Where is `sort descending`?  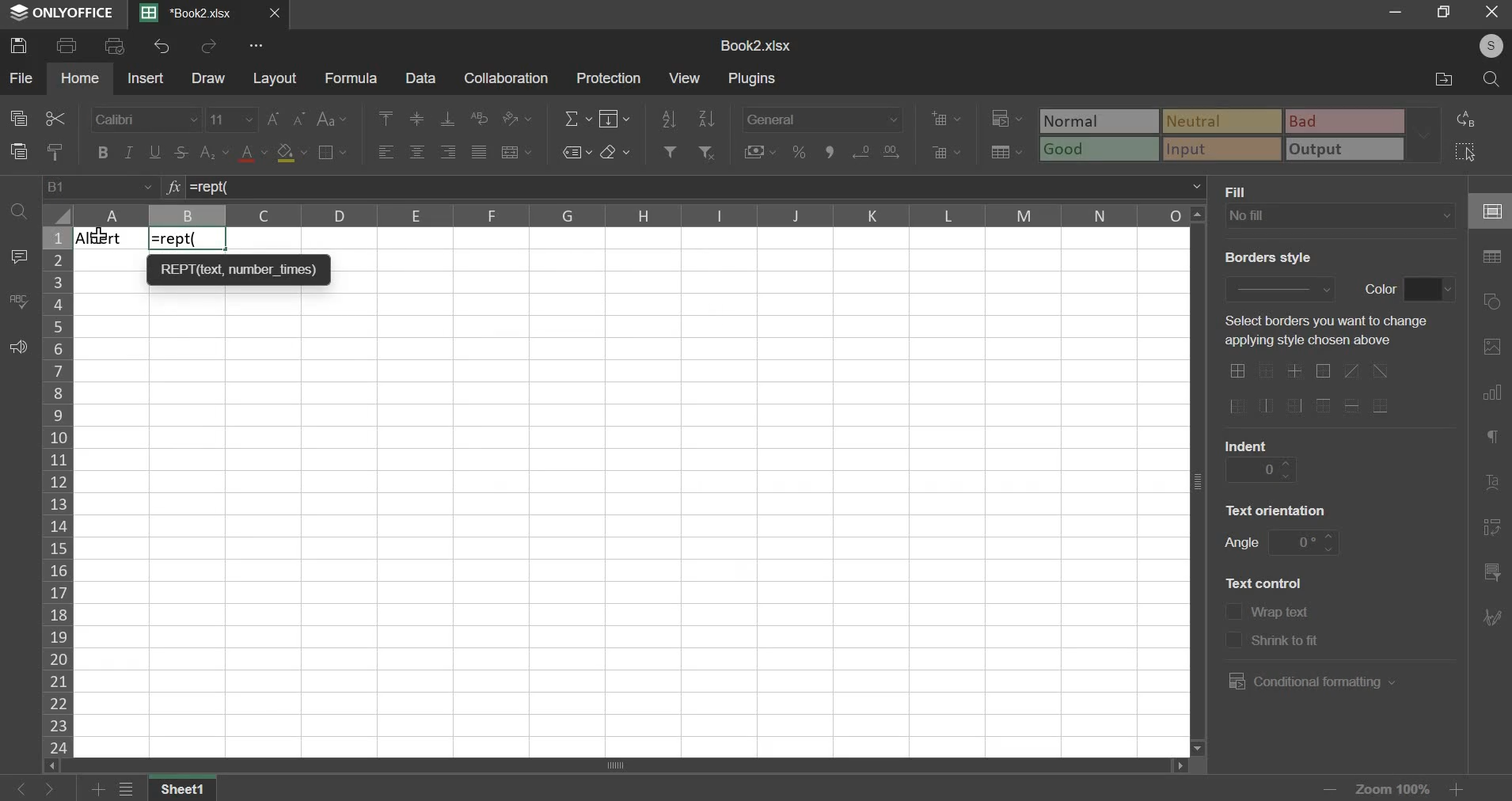 sort descending is located at coordinates (706, 119).